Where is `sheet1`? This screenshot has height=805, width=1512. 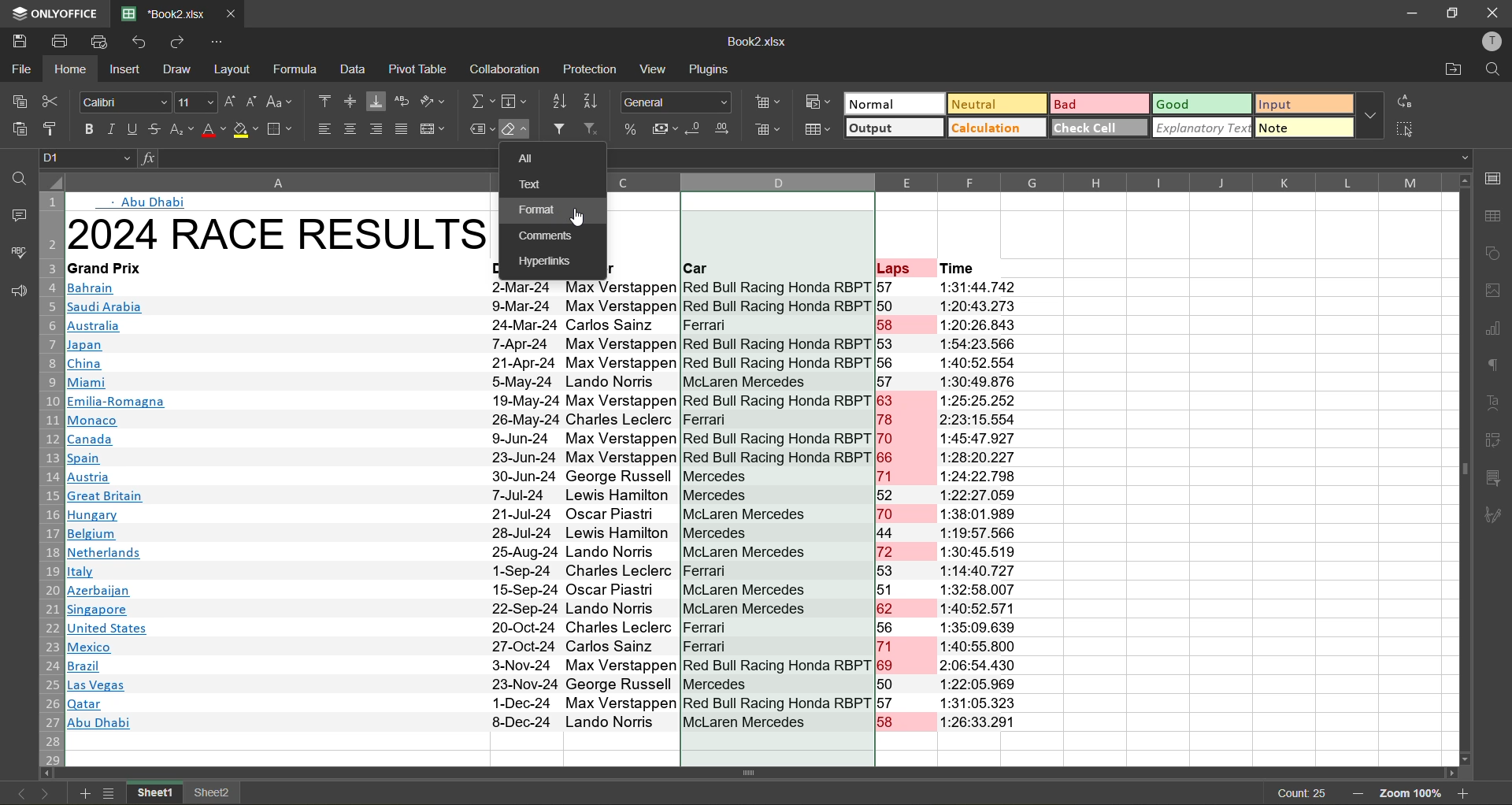
sheet1 is located at coordinates (153, 794).